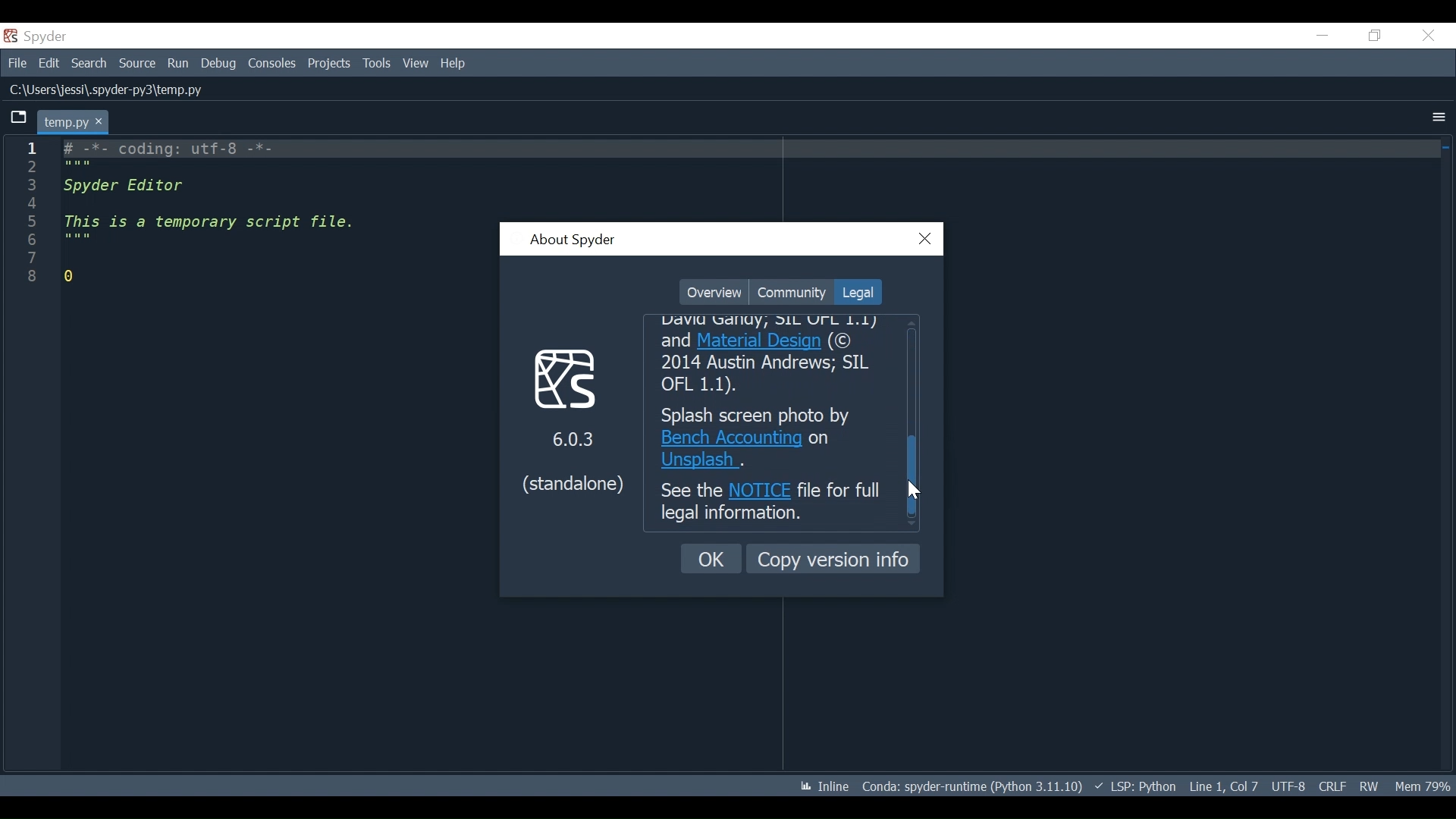 The image size is (1456, 819). What do you see at coordinates (572, 241) in the screenshot?
I see `About Spyder` at bounding box center [572, 241].